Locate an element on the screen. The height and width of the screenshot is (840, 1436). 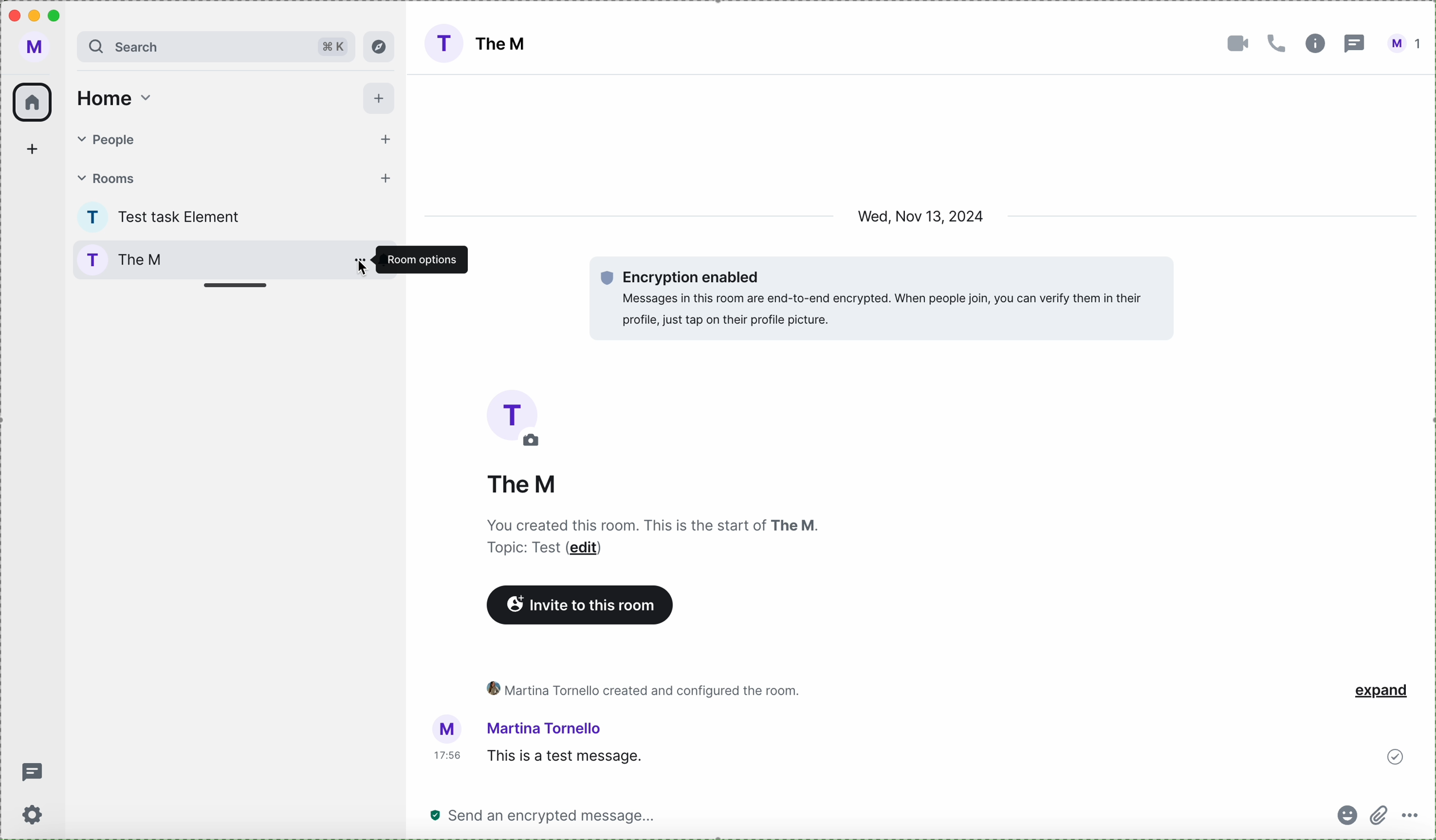
add is located at coordinates (381, 99).